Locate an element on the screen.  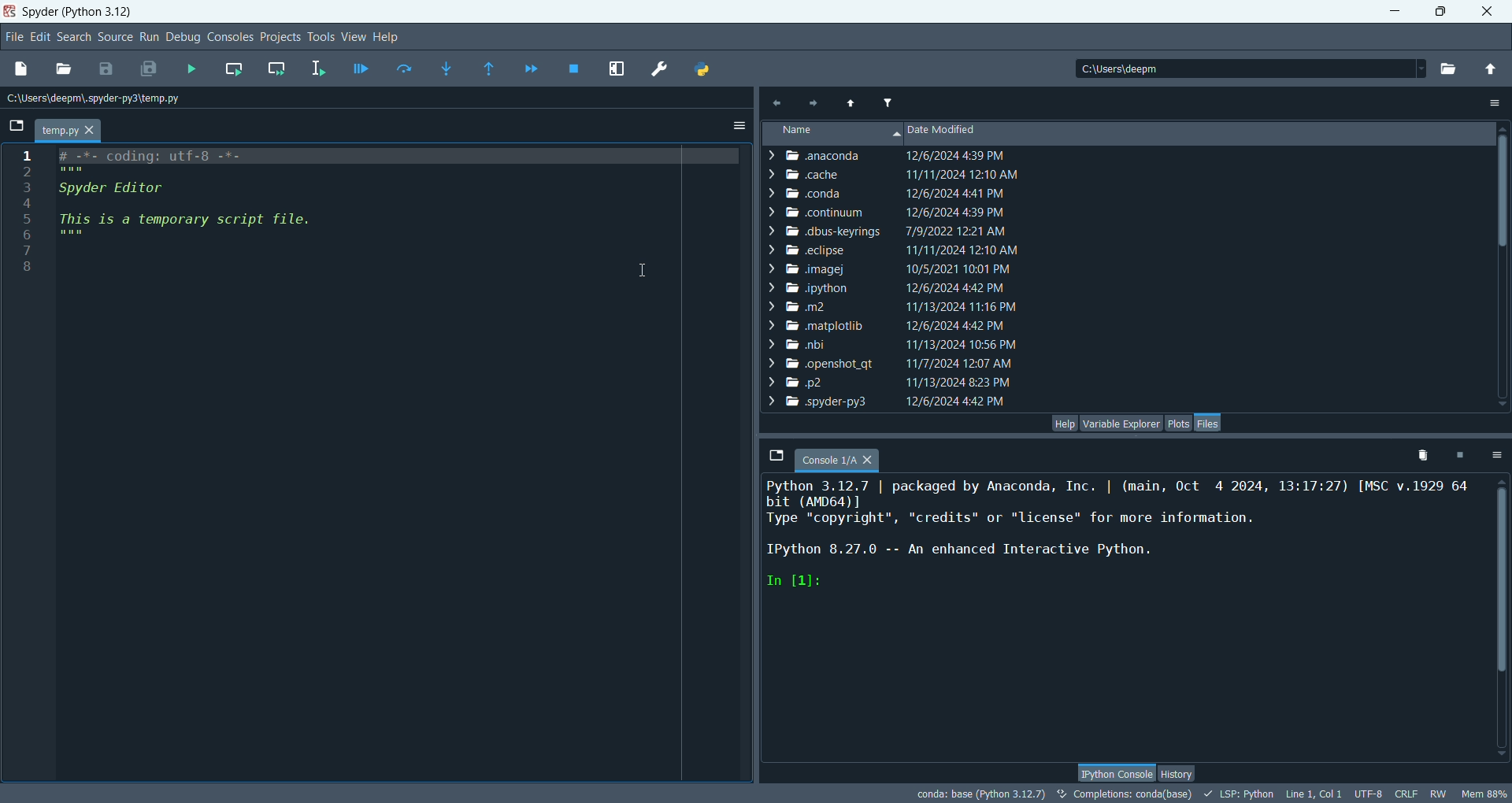
LSP:PYTHON is located at coordinates (1241, 794).